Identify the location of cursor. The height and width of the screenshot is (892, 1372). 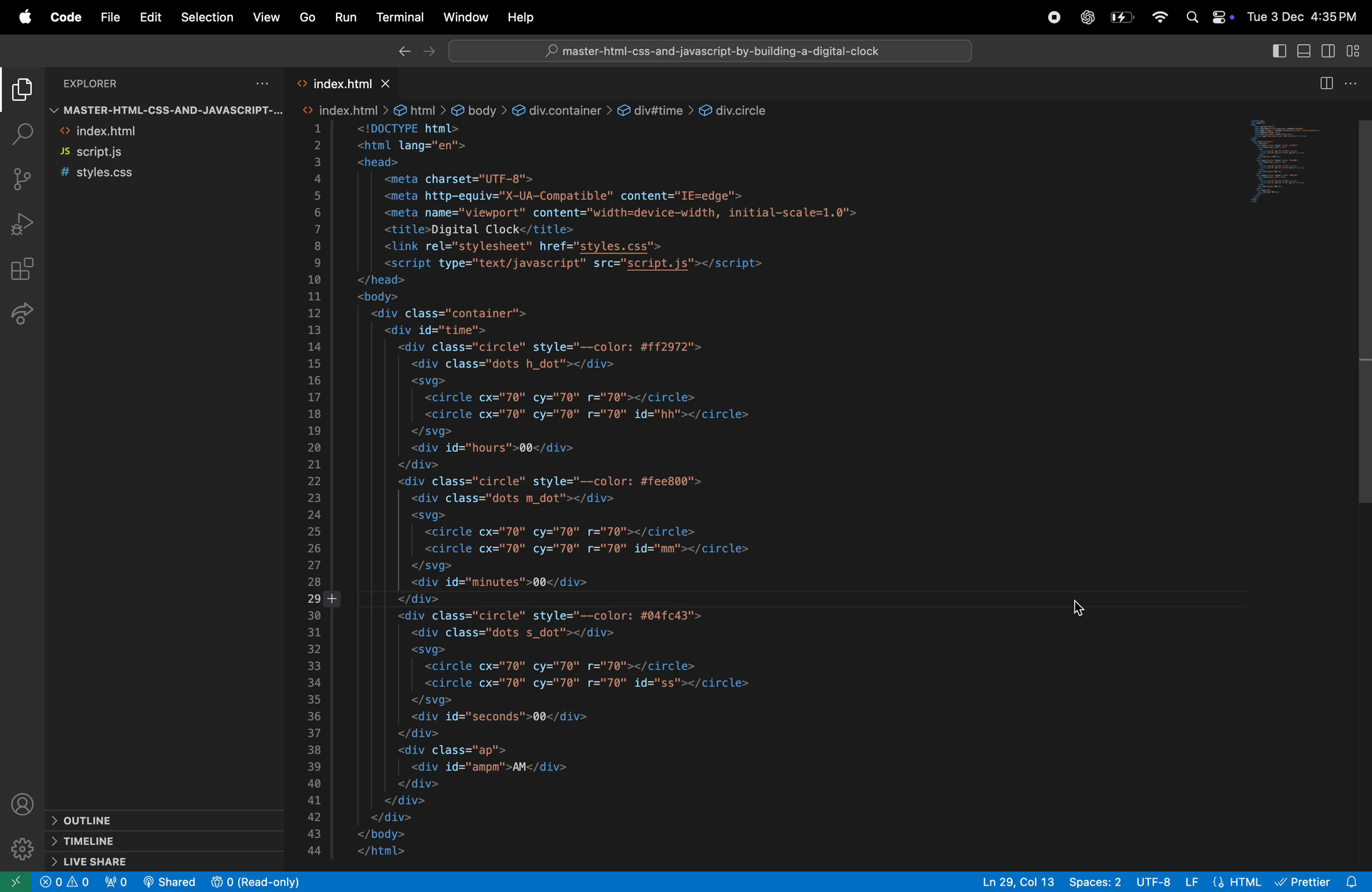
(1088, 610).